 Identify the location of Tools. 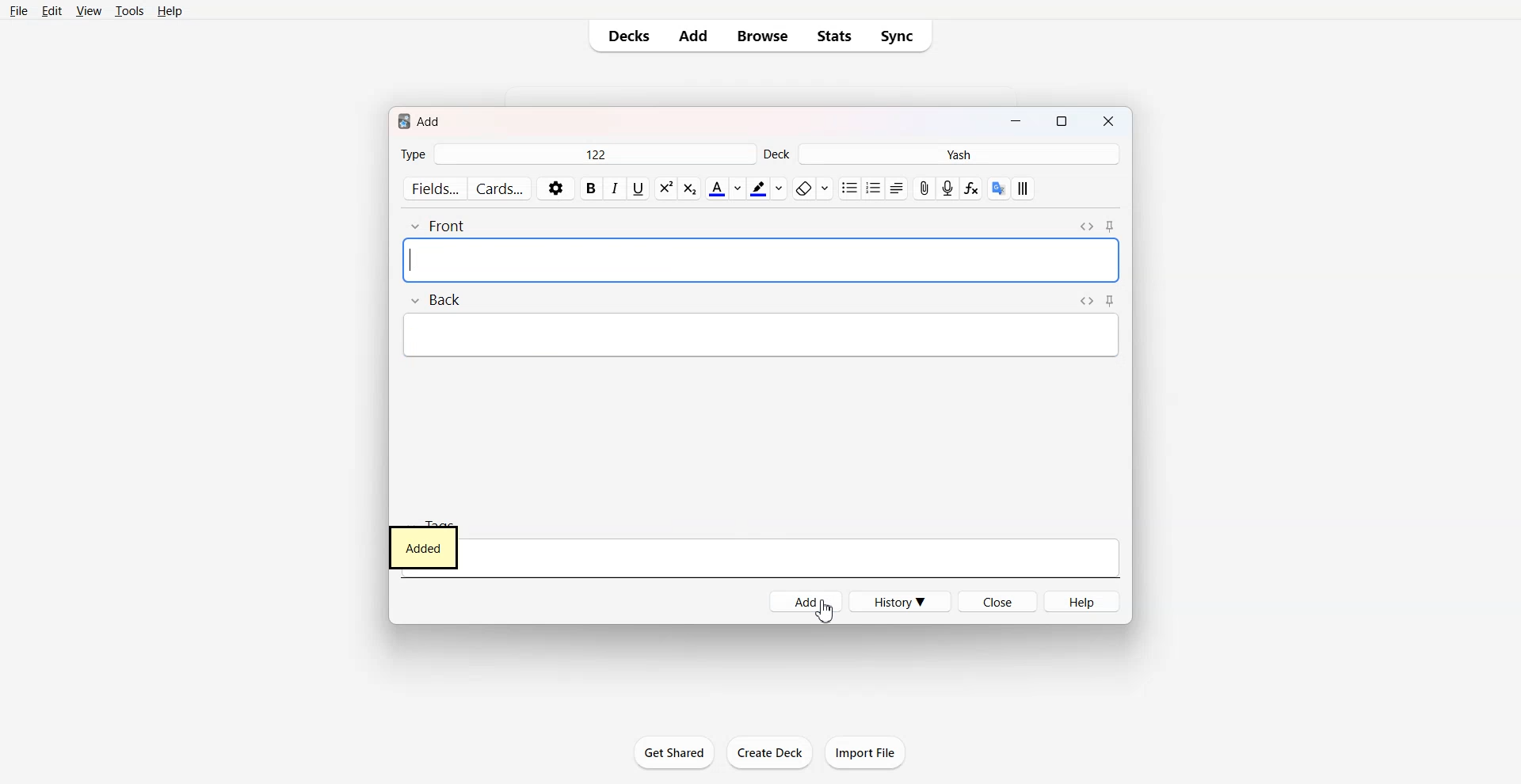
(129, 12).